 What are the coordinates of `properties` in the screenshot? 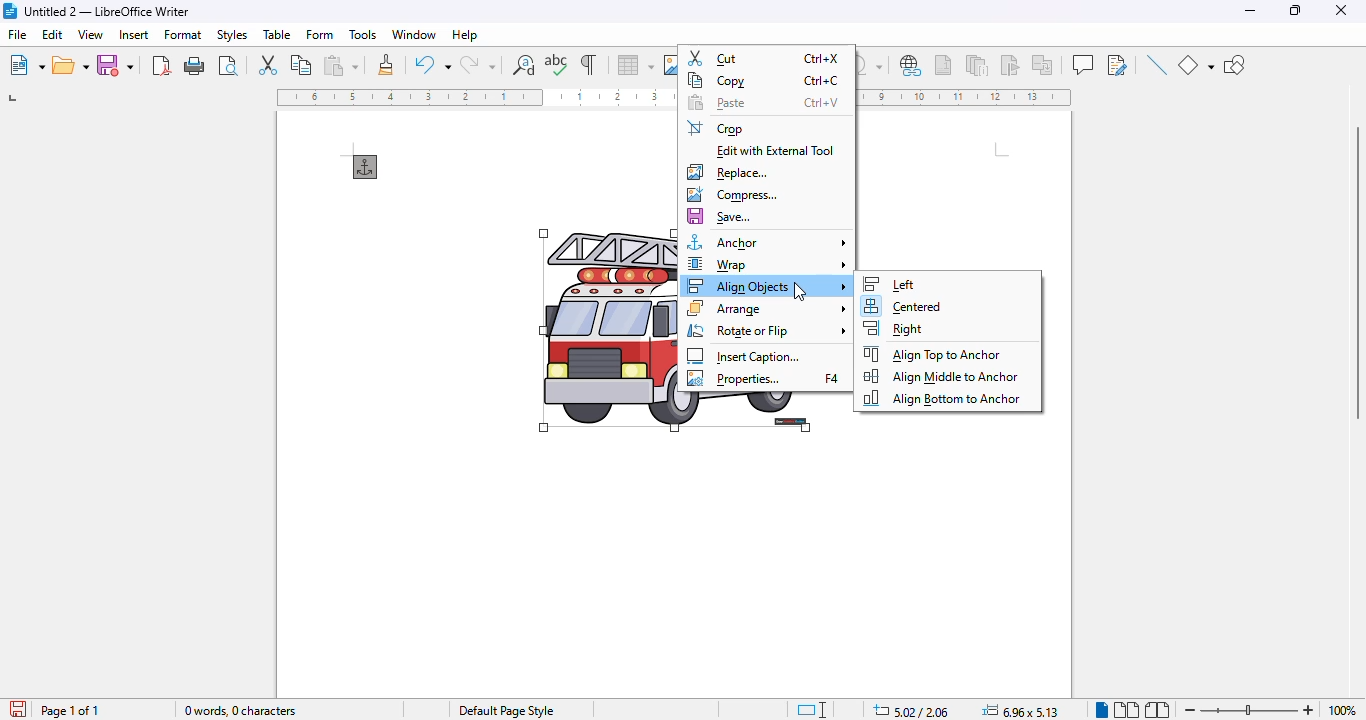 It's located at (764, 379).